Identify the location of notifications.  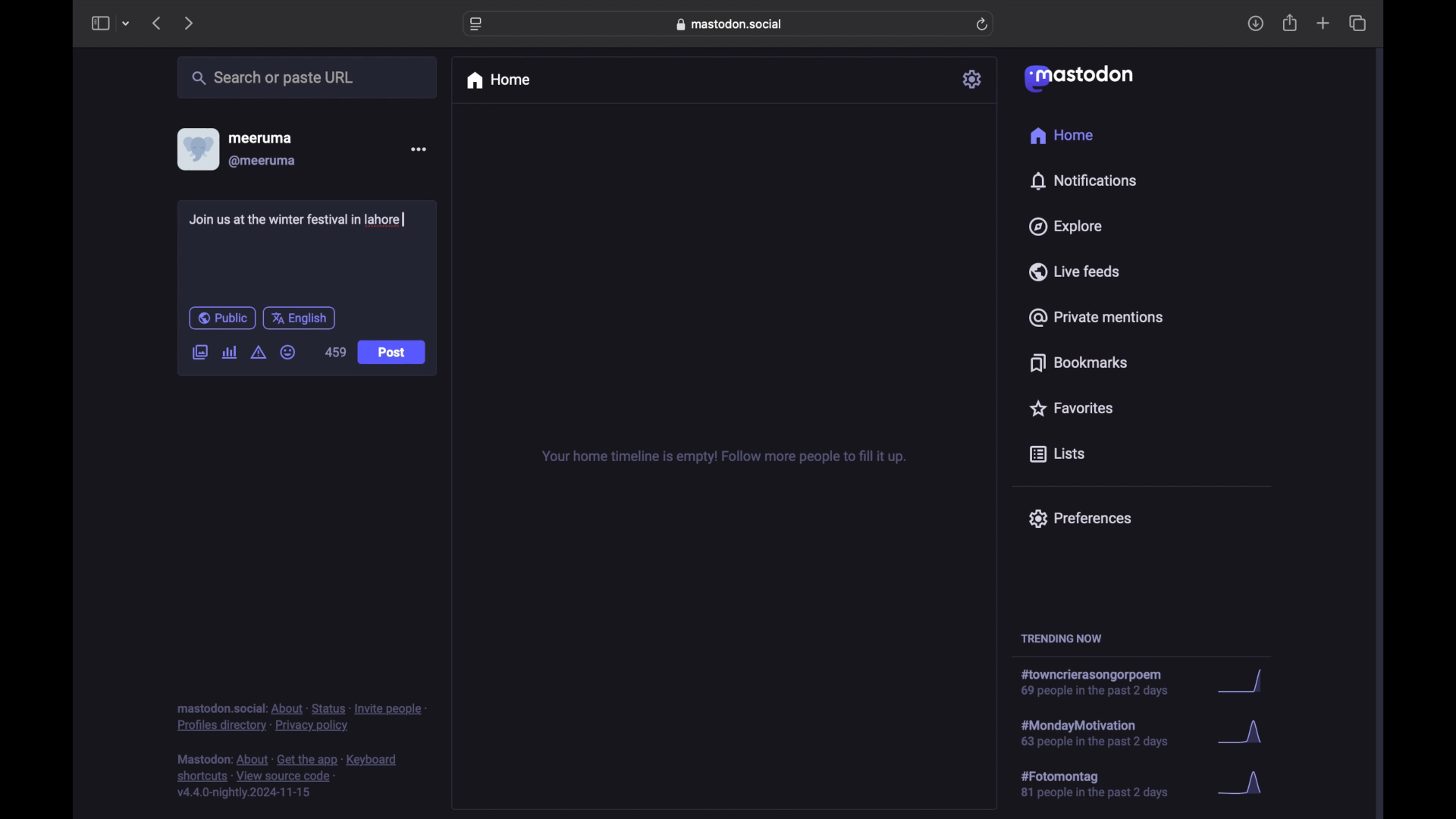
(1083, 180).